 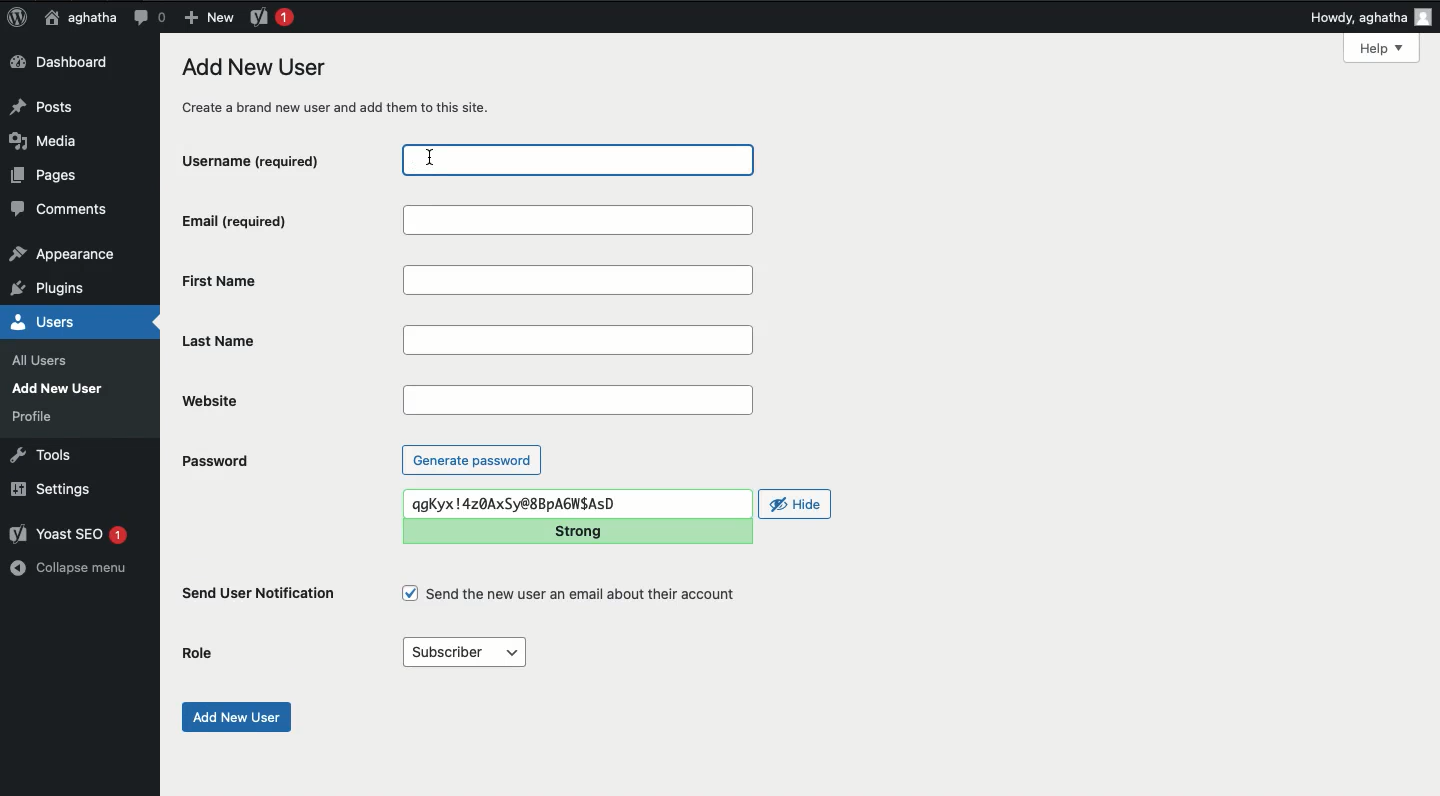 I want to click on Yoast, so click(x=270, y=16).